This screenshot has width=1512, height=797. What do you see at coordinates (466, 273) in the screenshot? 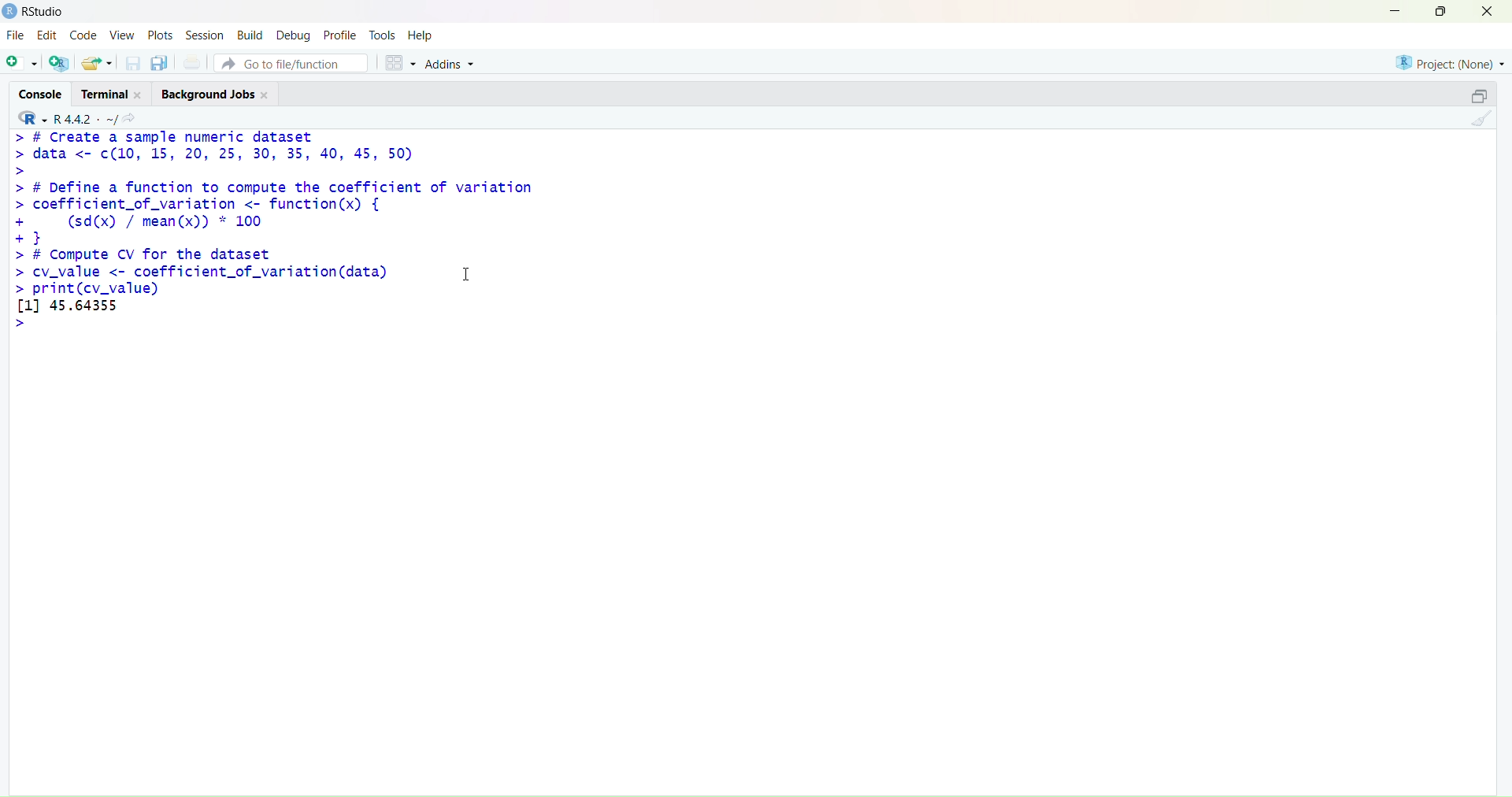
I see `cursor` at bounding box center [466, 273].